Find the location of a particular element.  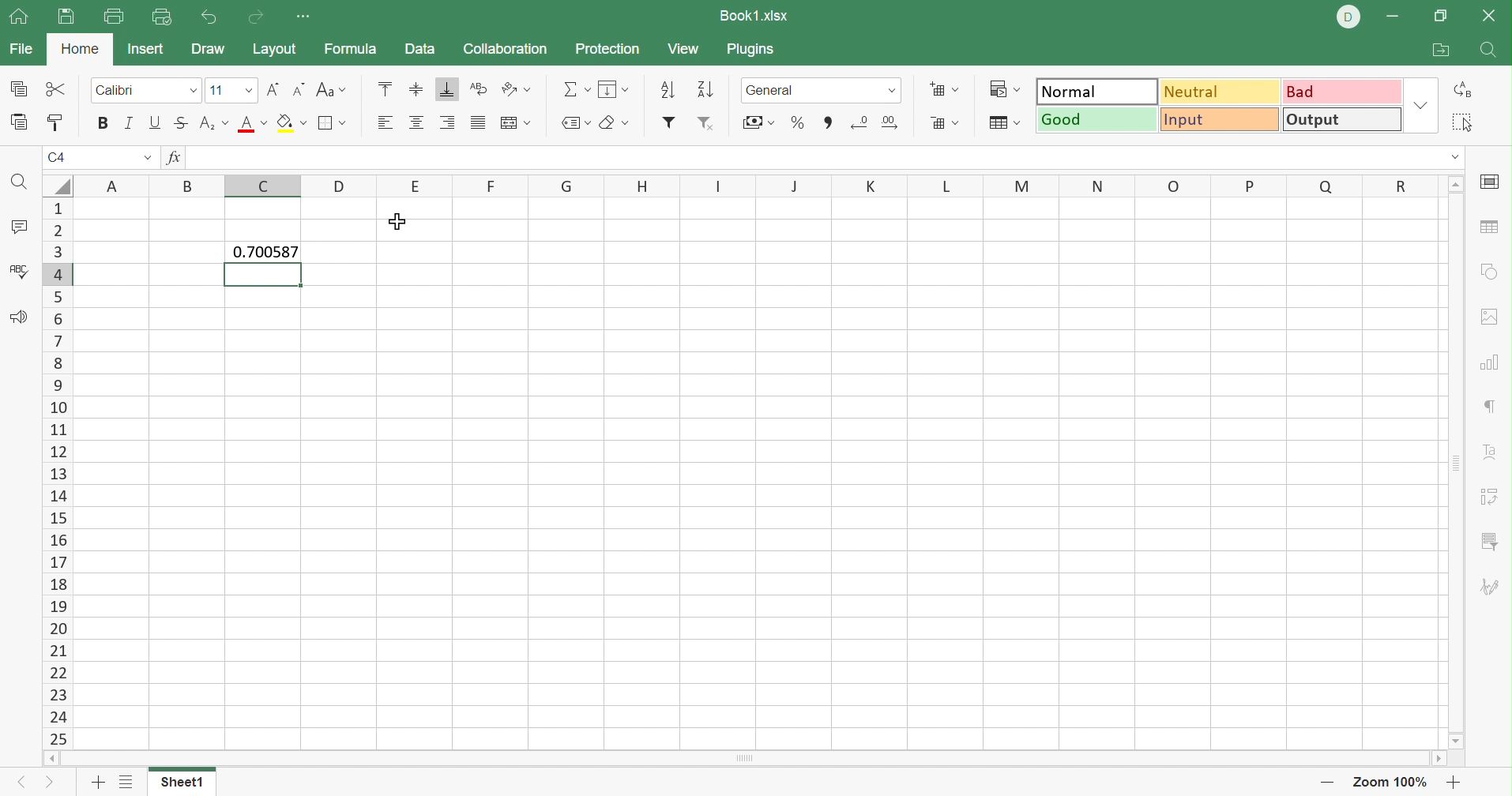

Spell checking is located at coordinates (19, 273).